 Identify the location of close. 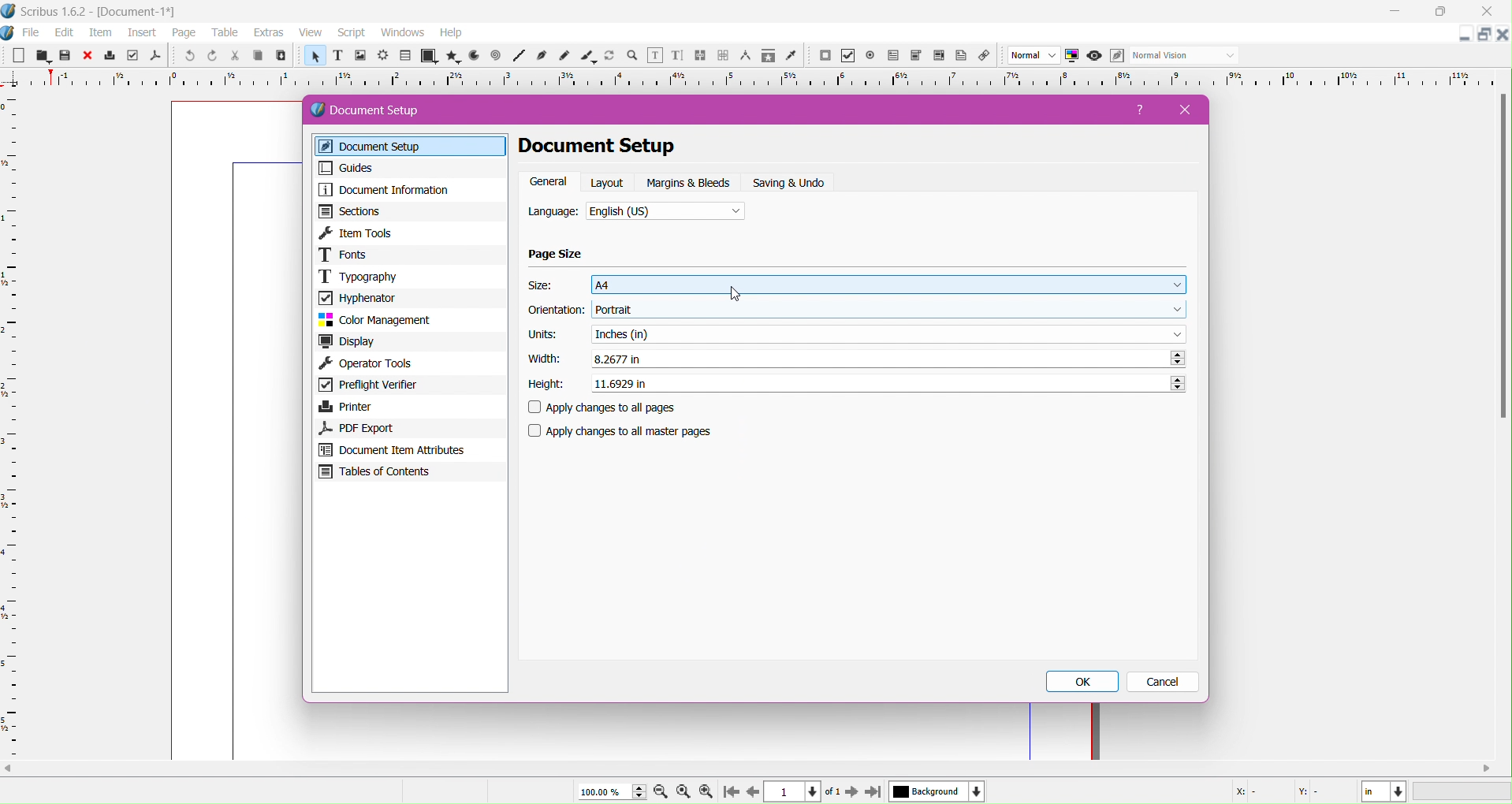
(88, 56).